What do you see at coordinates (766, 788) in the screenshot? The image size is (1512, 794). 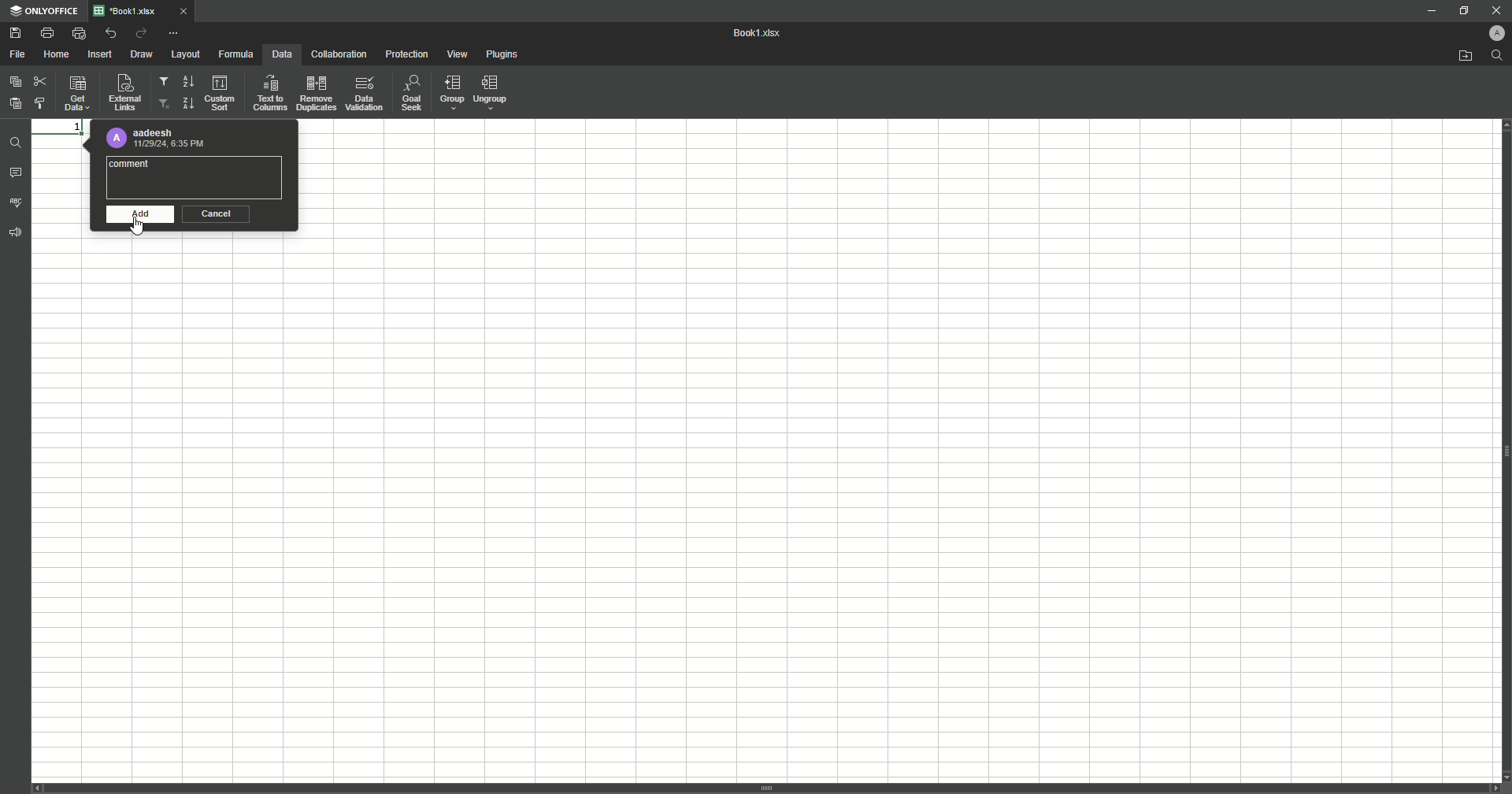 I see `vertical scroll bar` at bounding box center [766, 788].